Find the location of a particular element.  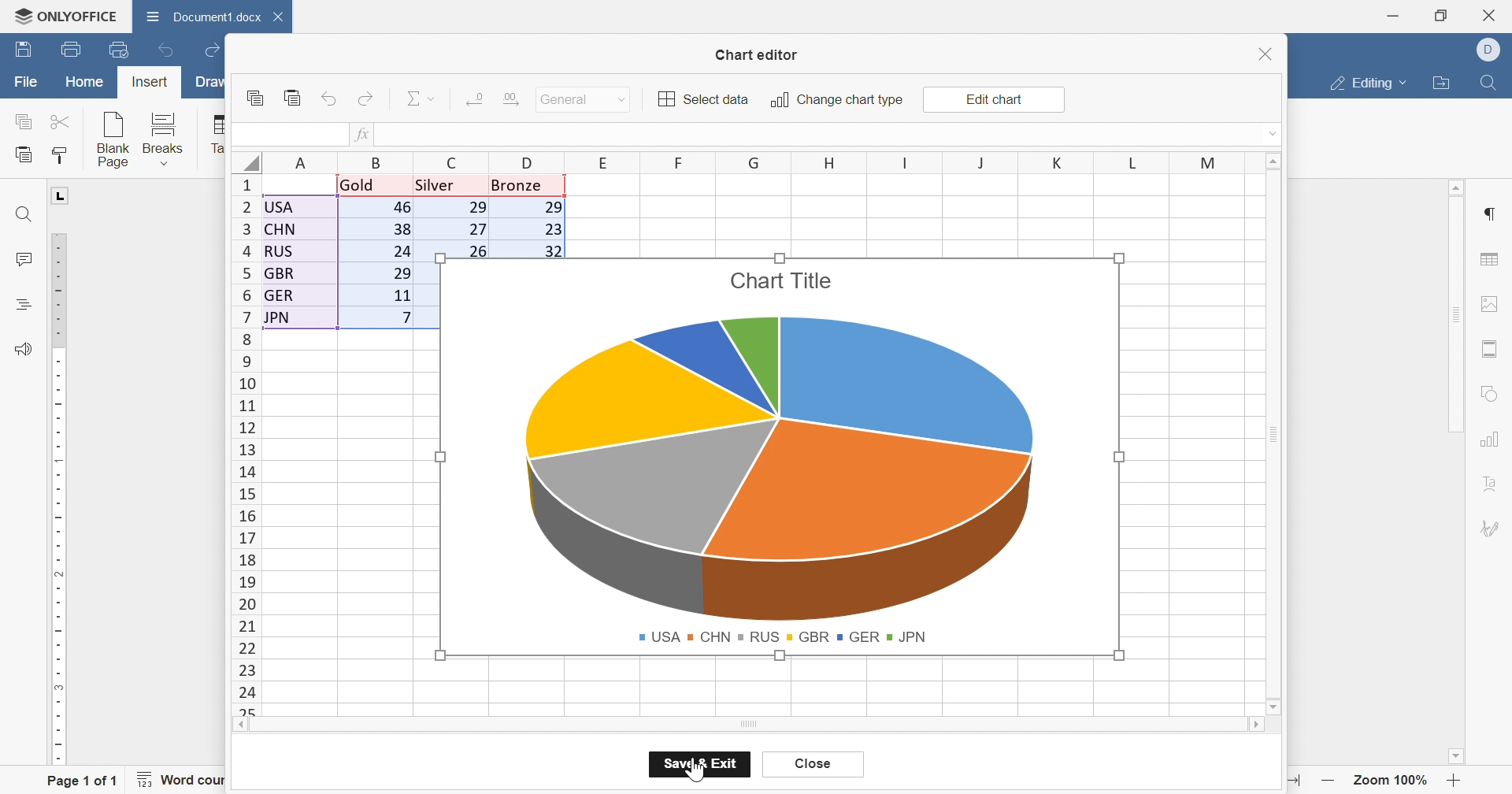

46 is located at coordinates (402, 208).